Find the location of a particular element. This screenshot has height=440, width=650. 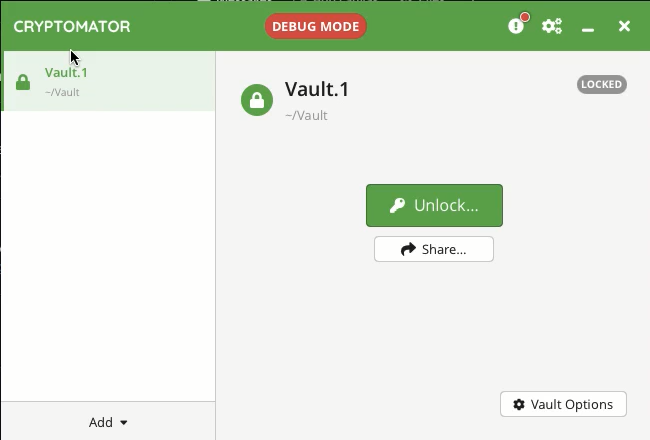

# Unlock... is located at coordinates (433, 204).